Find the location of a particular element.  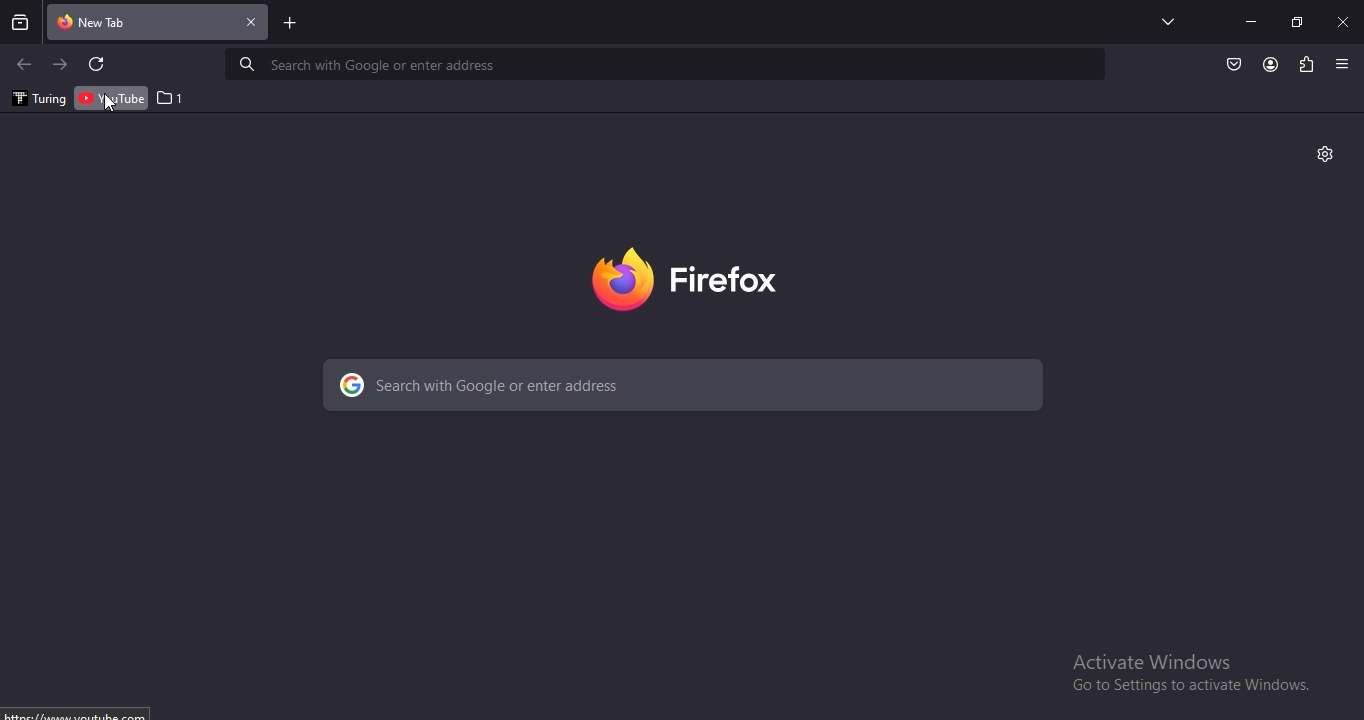

youtube is located at coordinates (113, 97).